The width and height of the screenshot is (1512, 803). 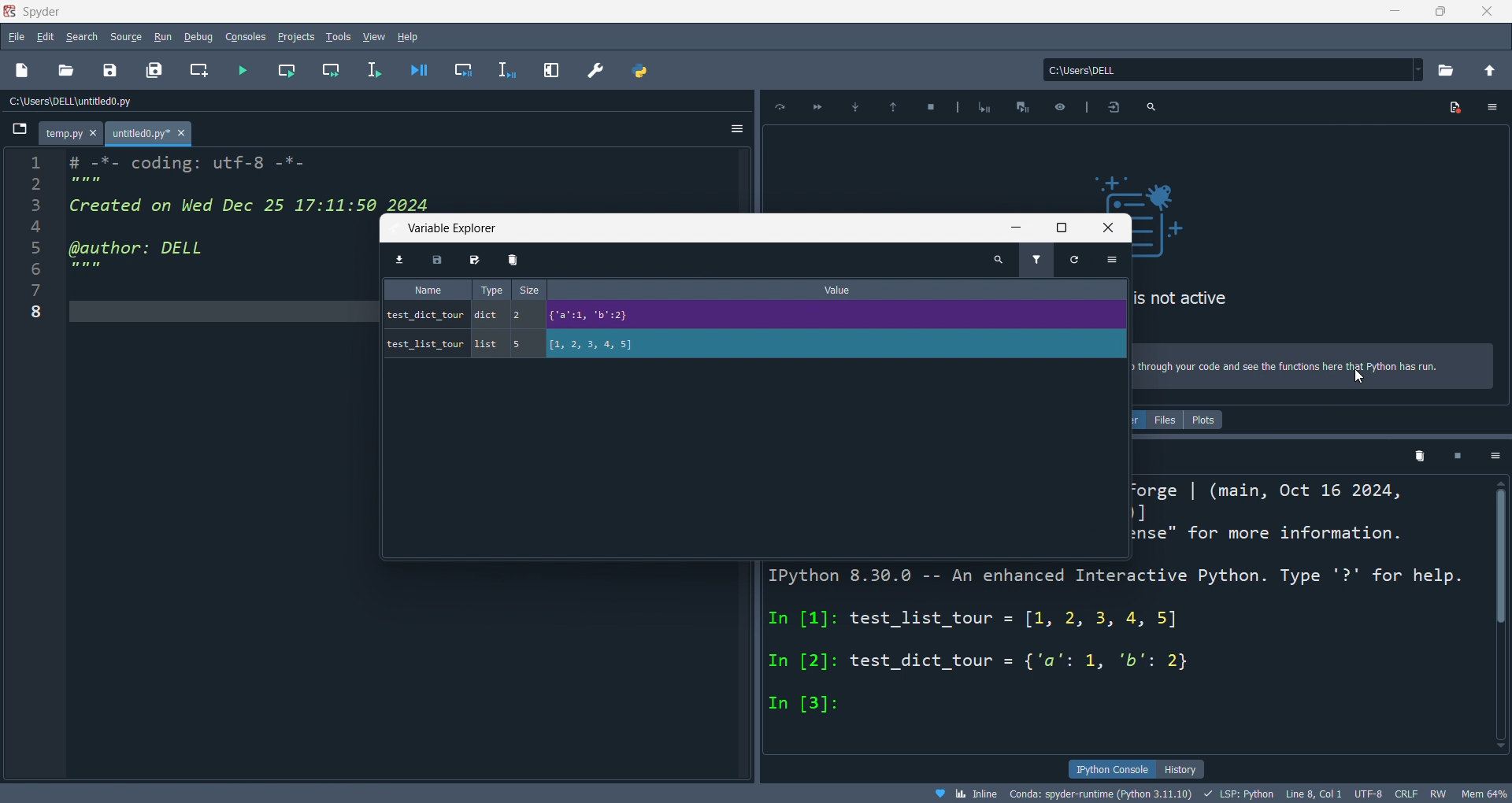 I want to click on file path: c:\users\dell\untitled0.py, so click(x=116, y=101).